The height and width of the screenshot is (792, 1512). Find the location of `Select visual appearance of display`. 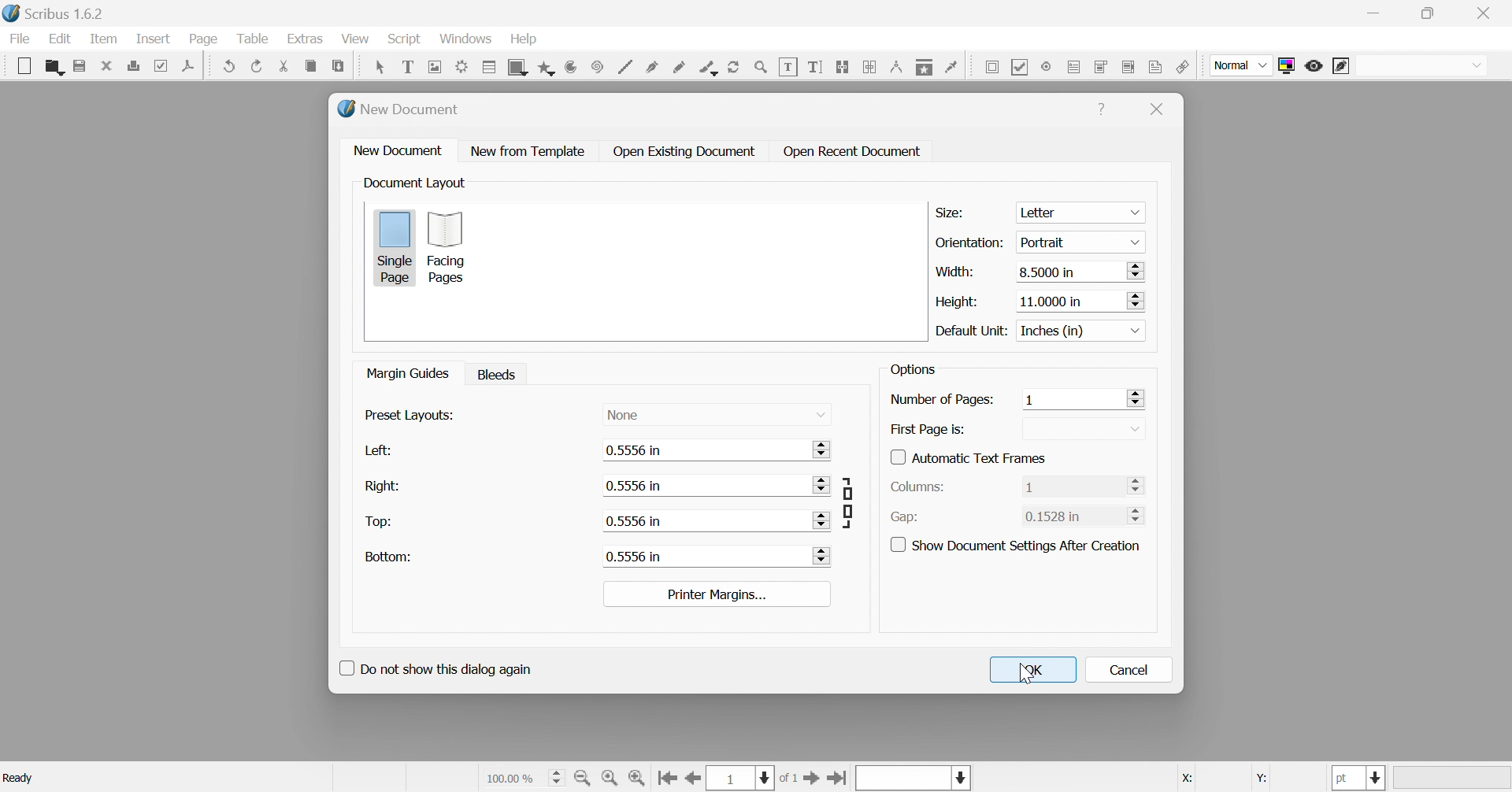

Select visual appearance of display is located at coordinates (1422, 67).